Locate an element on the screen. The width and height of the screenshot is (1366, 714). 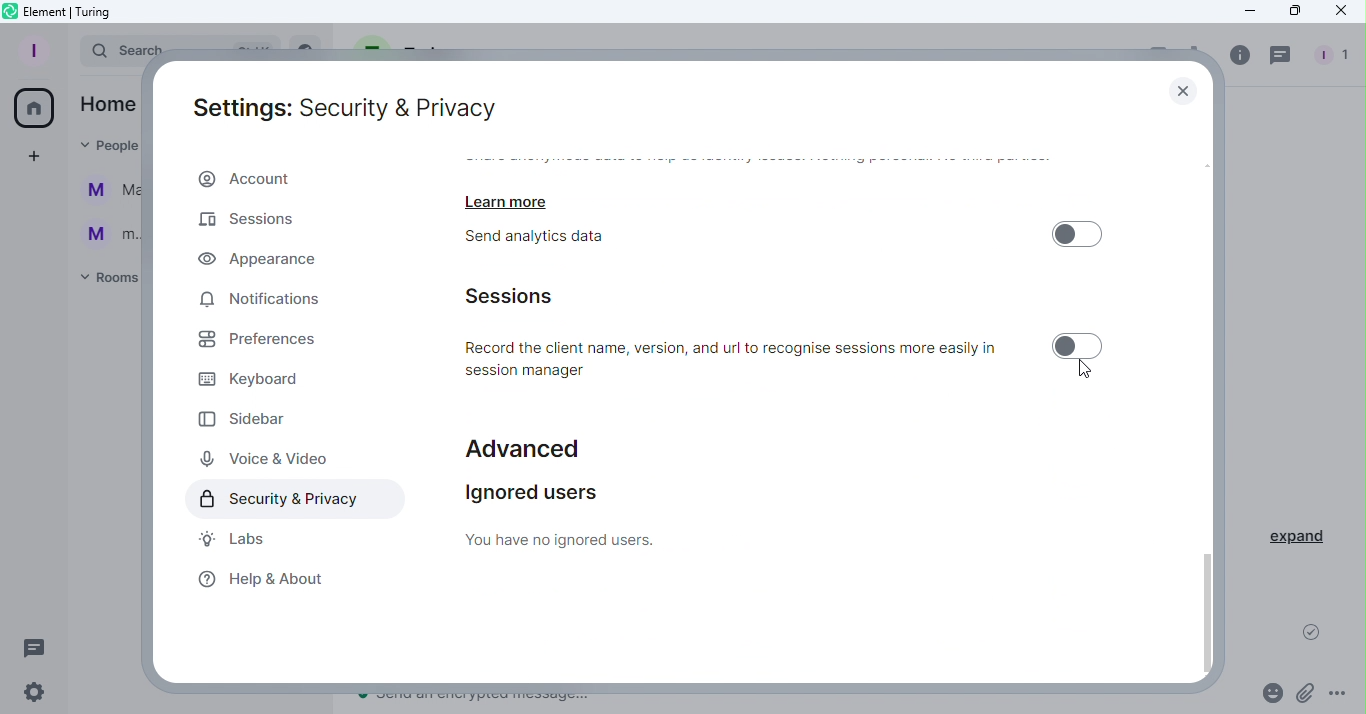
Send analytics data is located at coordinates (555, 240).